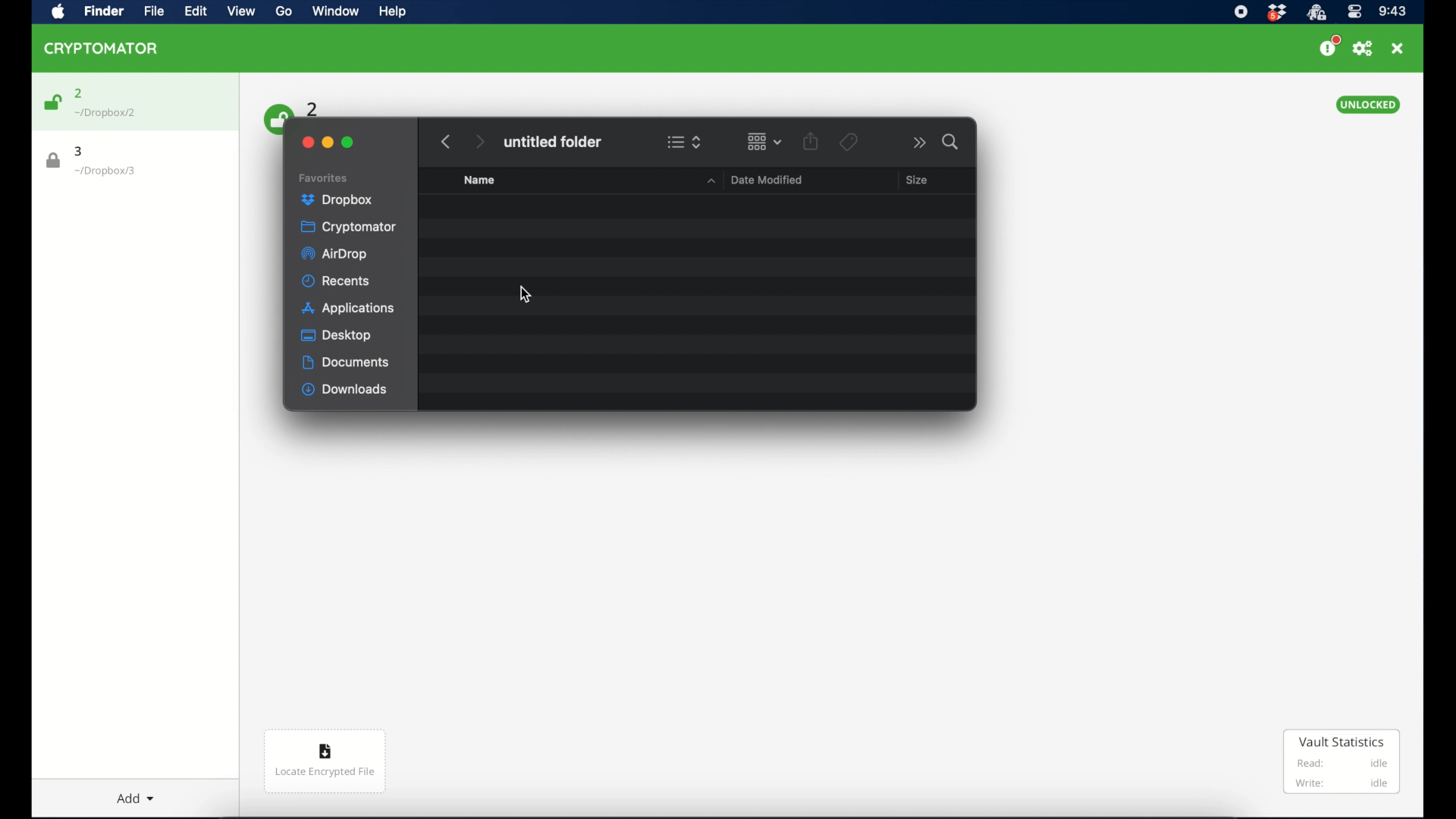 The width and height of the screenshot is (1456, 819). I want to click on location, so click(106, 113).